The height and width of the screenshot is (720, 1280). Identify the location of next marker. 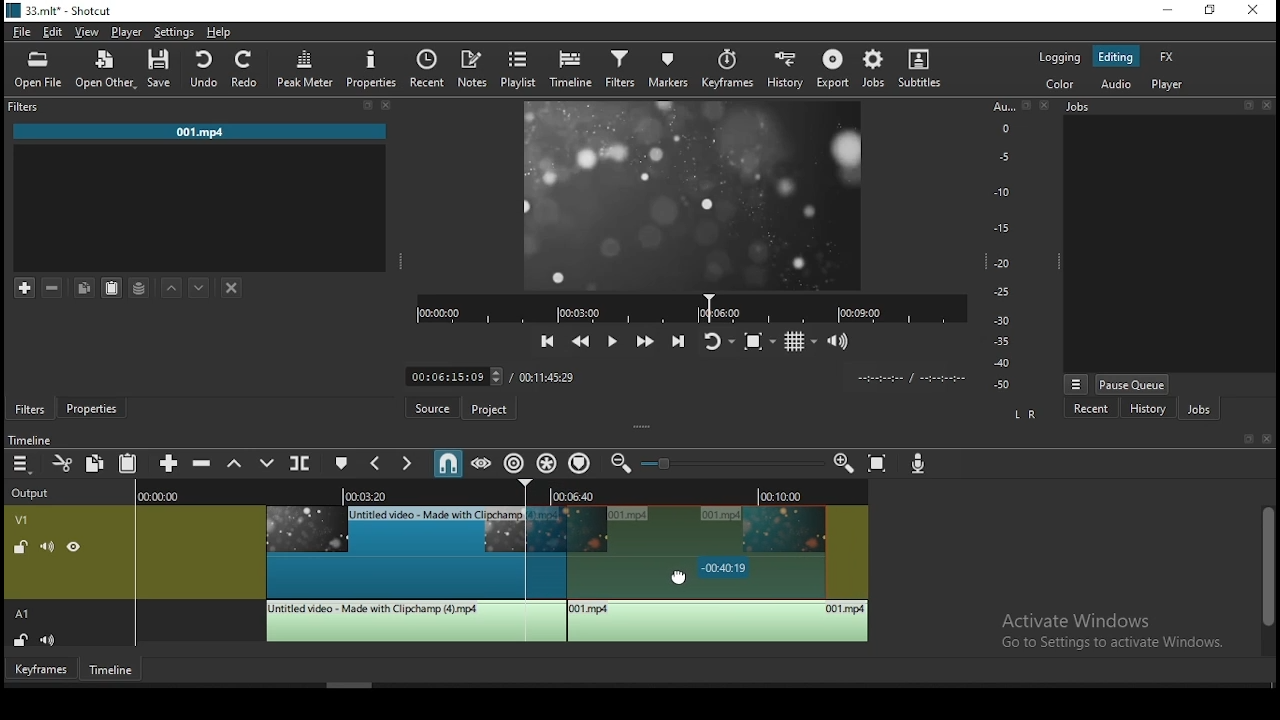
(406, 464).